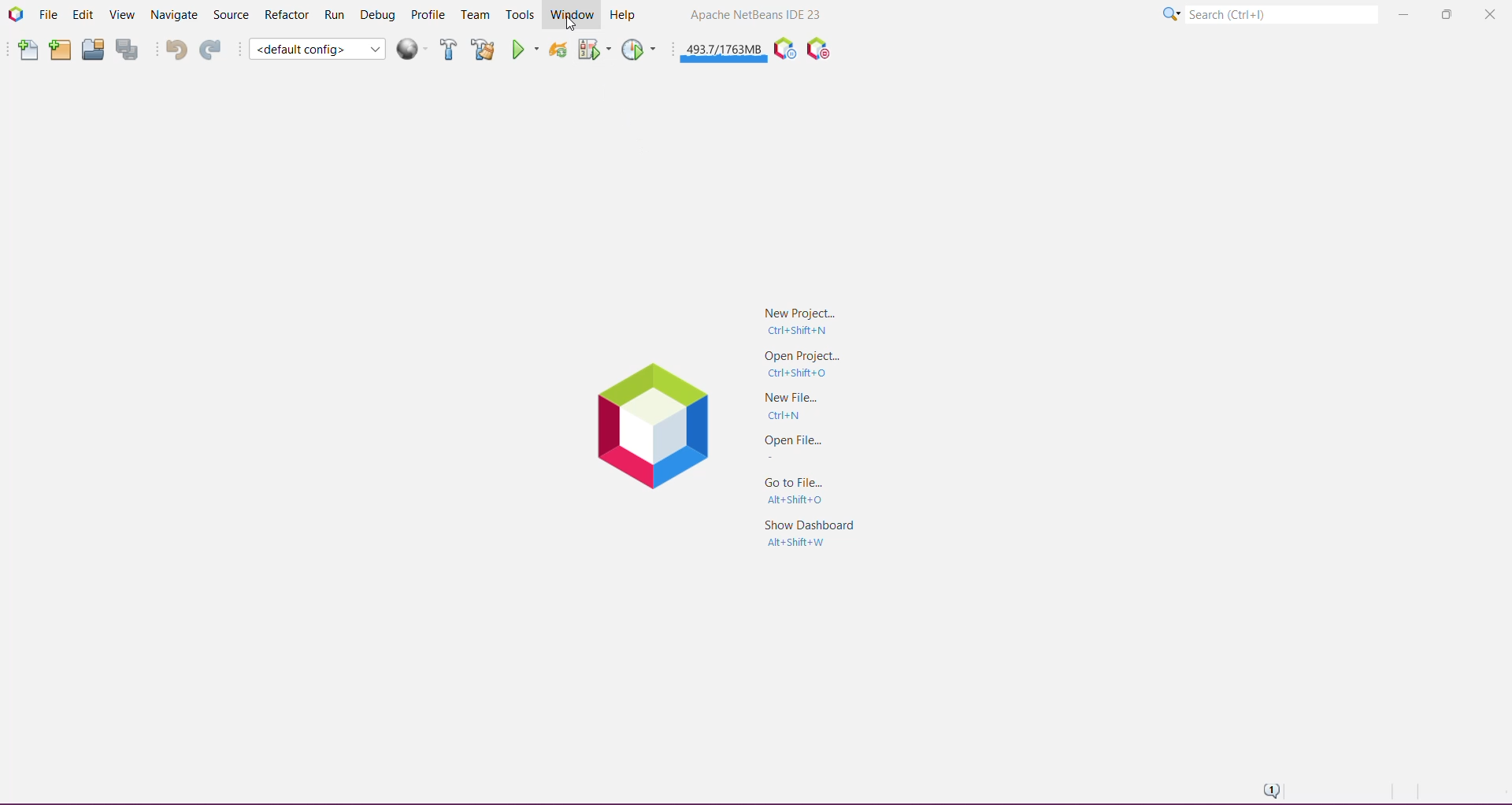 The height and width of the screenshot is (805, 1512). What do you see at coordinates (59, 50) in the screenshot?
I see `New Project` at bounding box center [59, 50].